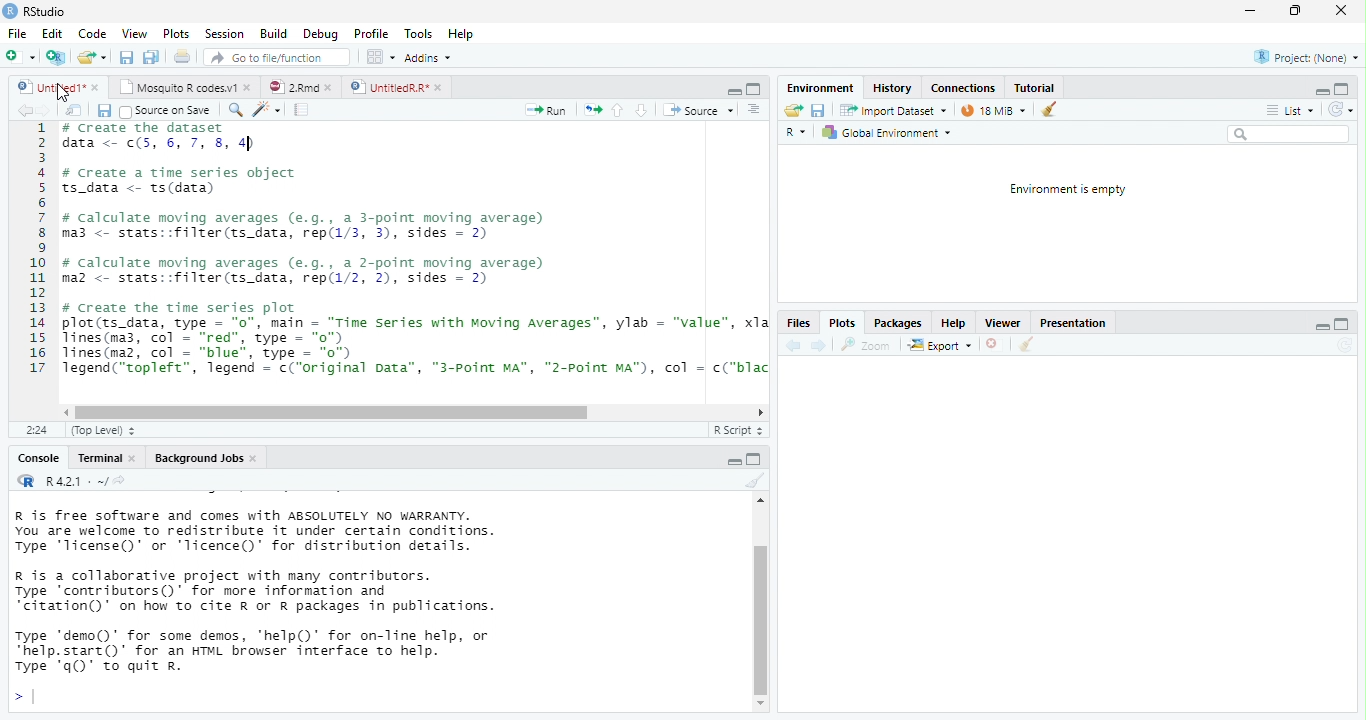 The image size is (1366, 720). I want to click on R Script, so click(736, 430).